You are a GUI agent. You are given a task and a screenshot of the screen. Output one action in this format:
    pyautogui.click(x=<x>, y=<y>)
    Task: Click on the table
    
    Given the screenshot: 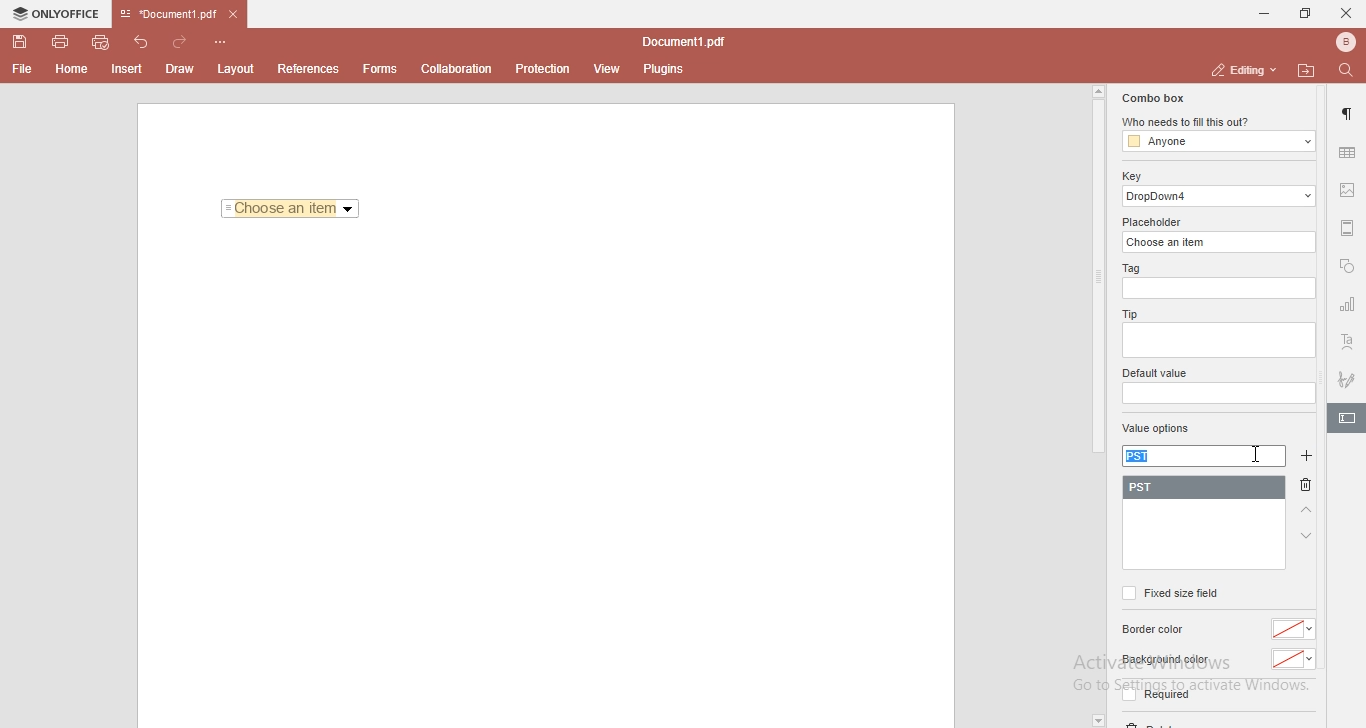 What is the action you would take?
    pyautogui.click(x=1347, y=152)
    